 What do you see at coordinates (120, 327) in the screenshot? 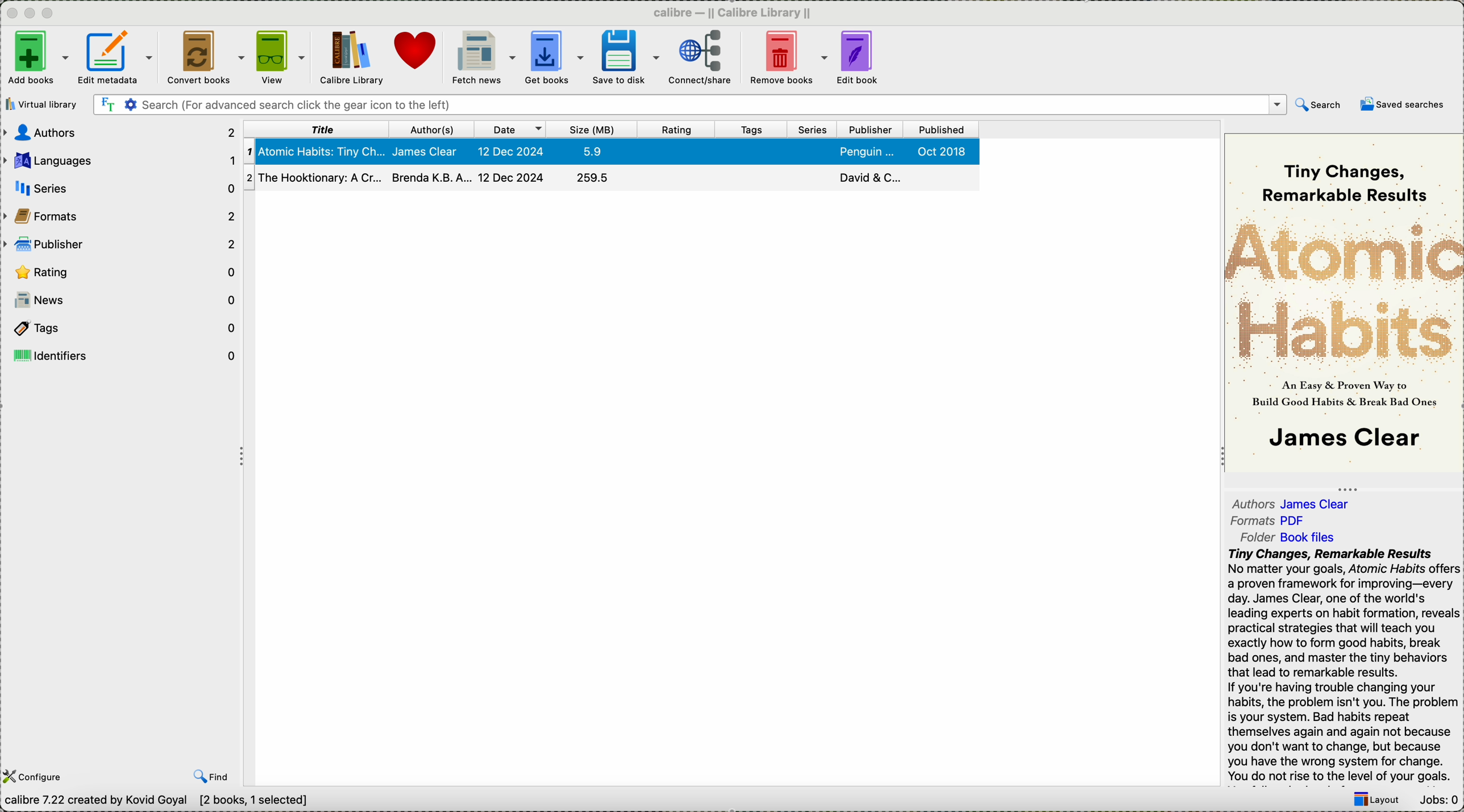
I see `tags` at bounding box center [120, 327].